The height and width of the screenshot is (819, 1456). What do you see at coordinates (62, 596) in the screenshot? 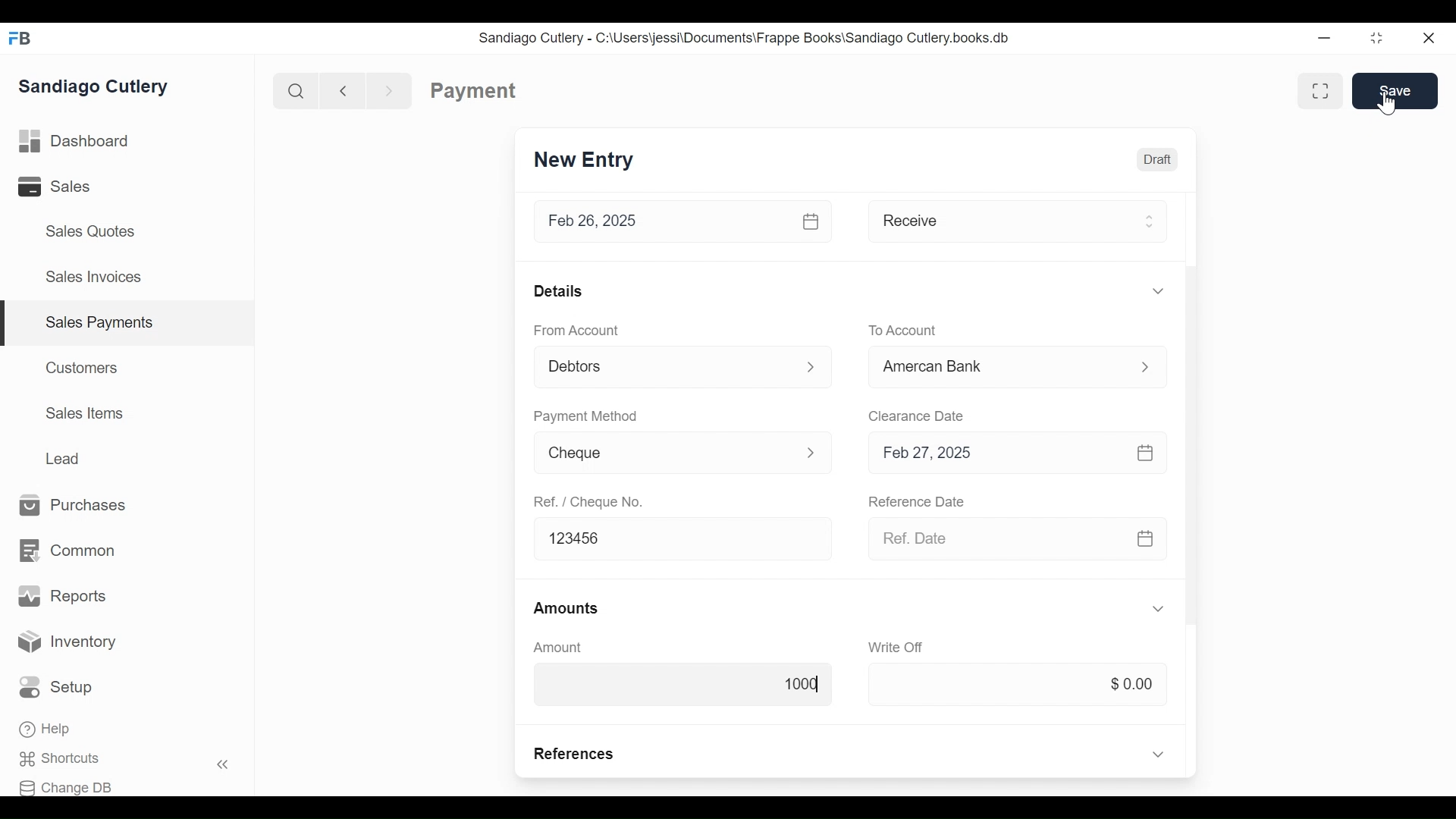
I see `Reports` at bounding box center [62, 596].